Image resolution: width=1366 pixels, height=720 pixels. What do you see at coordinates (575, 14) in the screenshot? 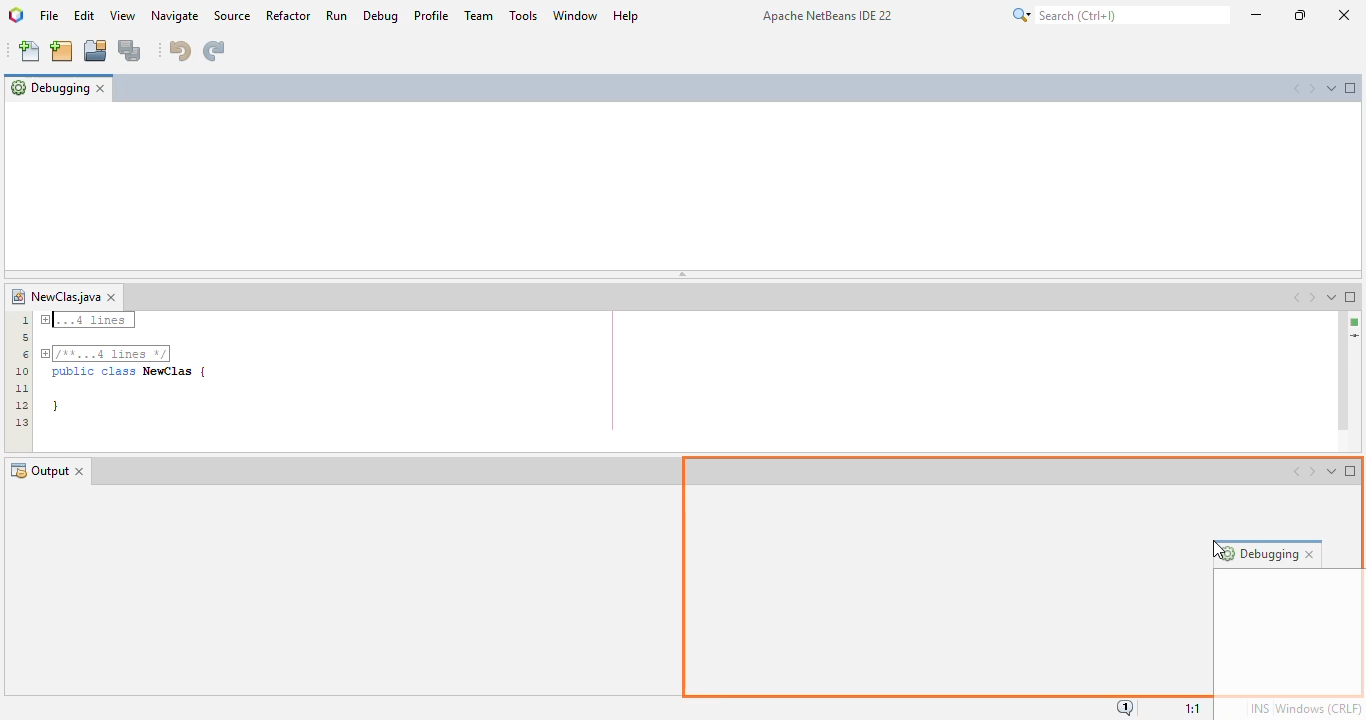
I see `window` at bounding box center [575, 14].